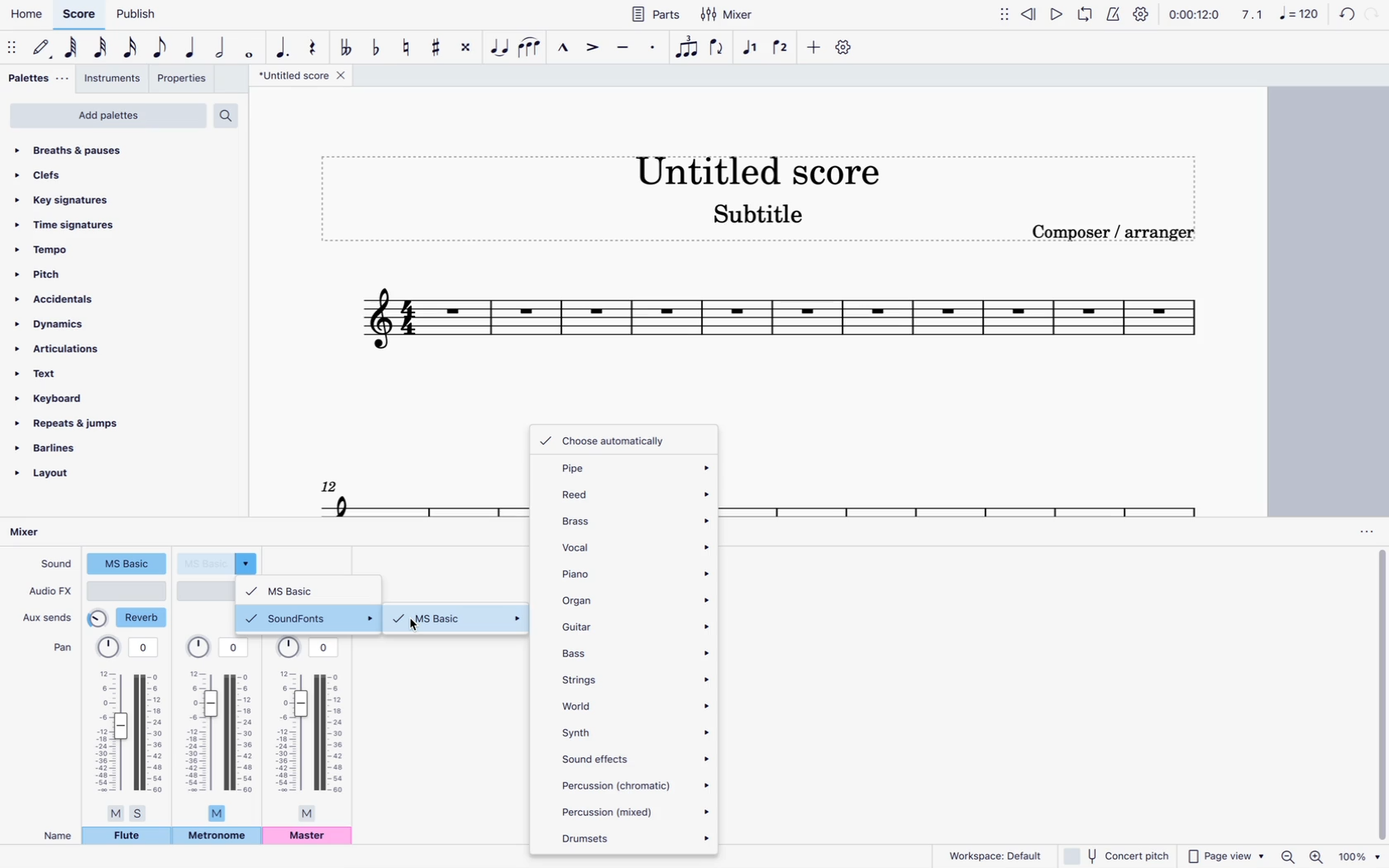 This screenshot has width=1389, height=868. Describe the element at coordinates (301, 77) in the screenshot. I see `score title` at that location.